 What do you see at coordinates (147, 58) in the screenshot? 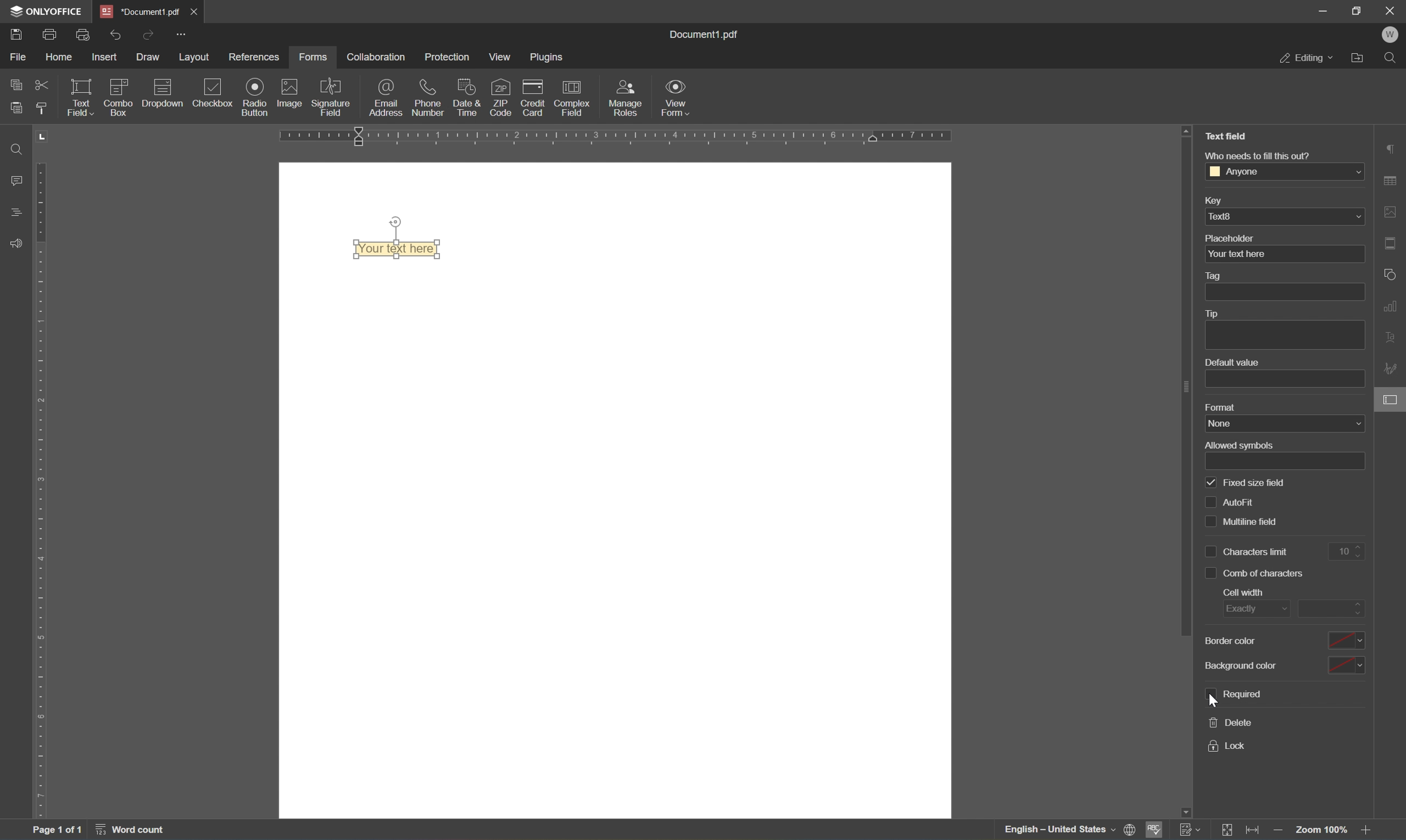
I see `draw` at bounding box center [147, 58].